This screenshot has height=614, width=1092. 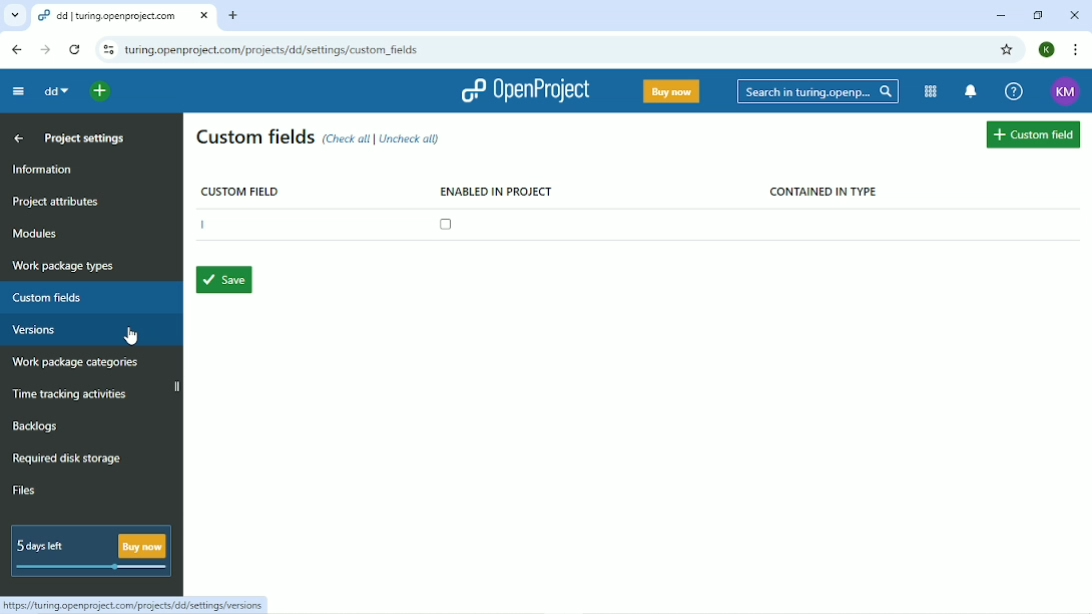 I want to click on Buy now, so click(x=671, y=91).